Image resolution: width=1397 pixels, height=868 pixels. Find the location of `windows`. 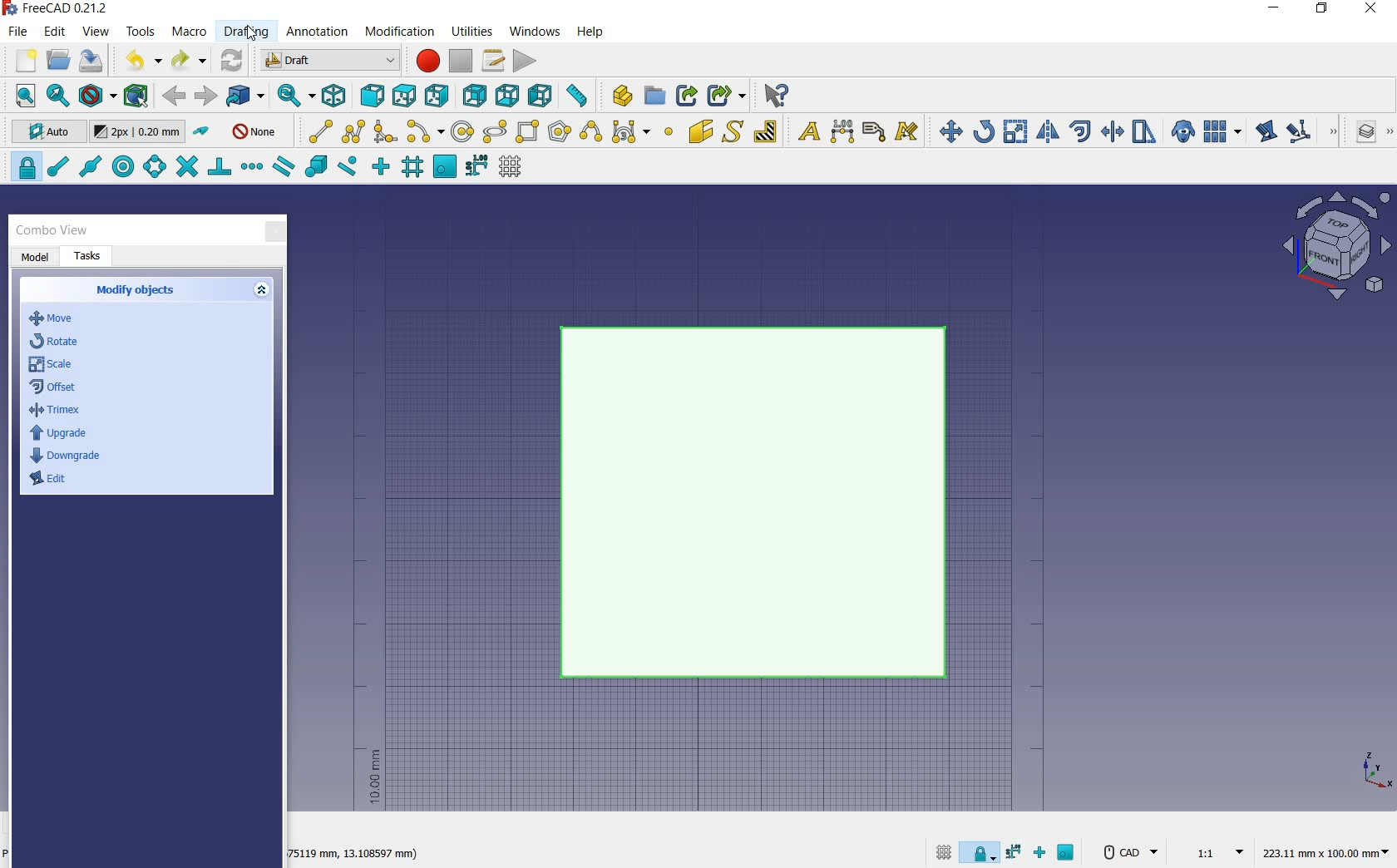

windows is located at coordinates (536, 31).